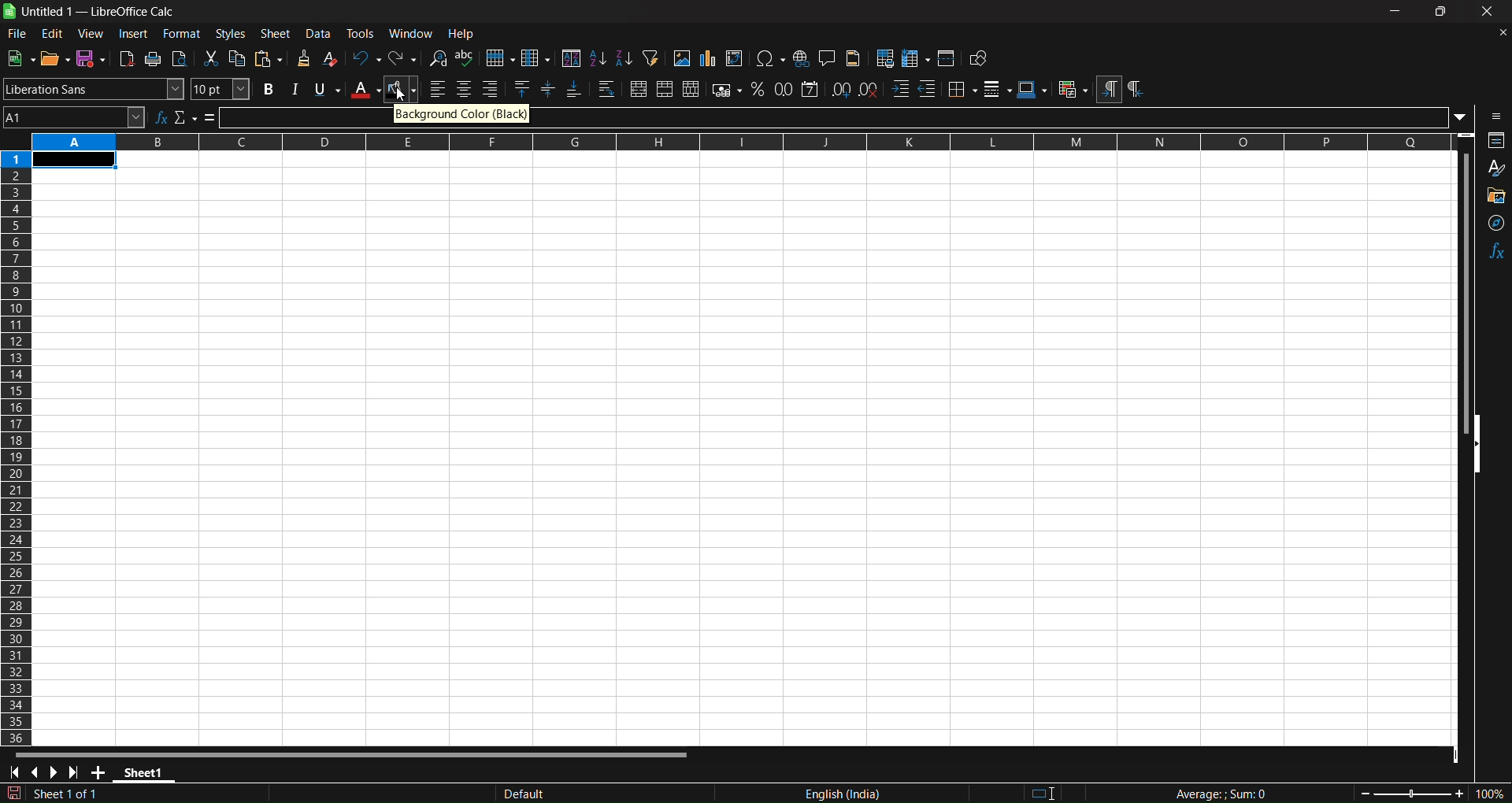  What do you see at coordinates (1493, 248) in the screenshot?
I see `functions` at bounding box center [1493, 248].